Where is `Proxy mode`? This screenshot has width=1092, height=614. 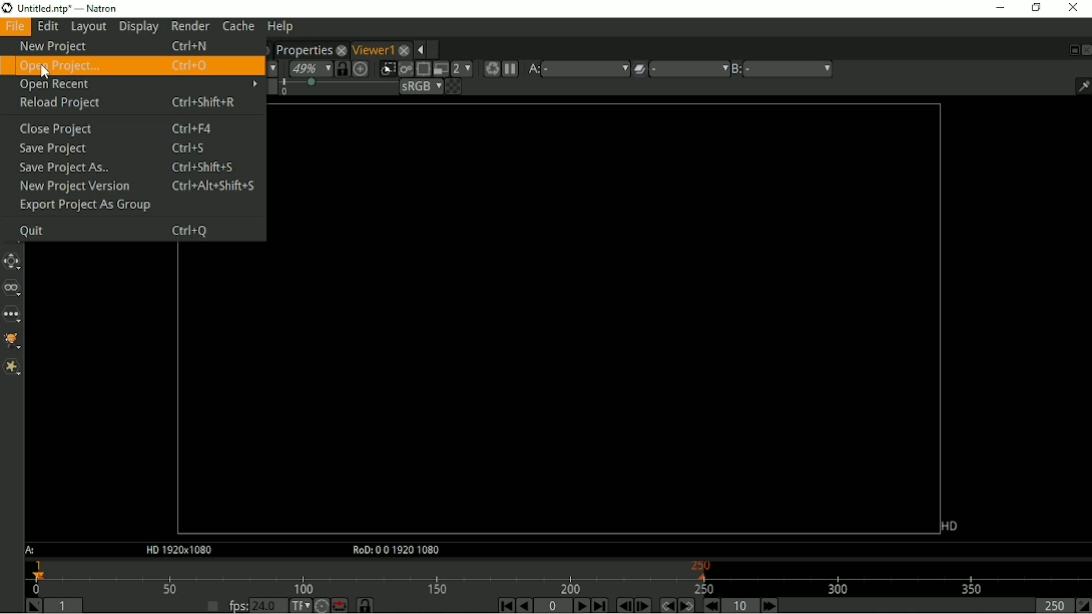
Proxy mode is located at coordinates (439, 68).